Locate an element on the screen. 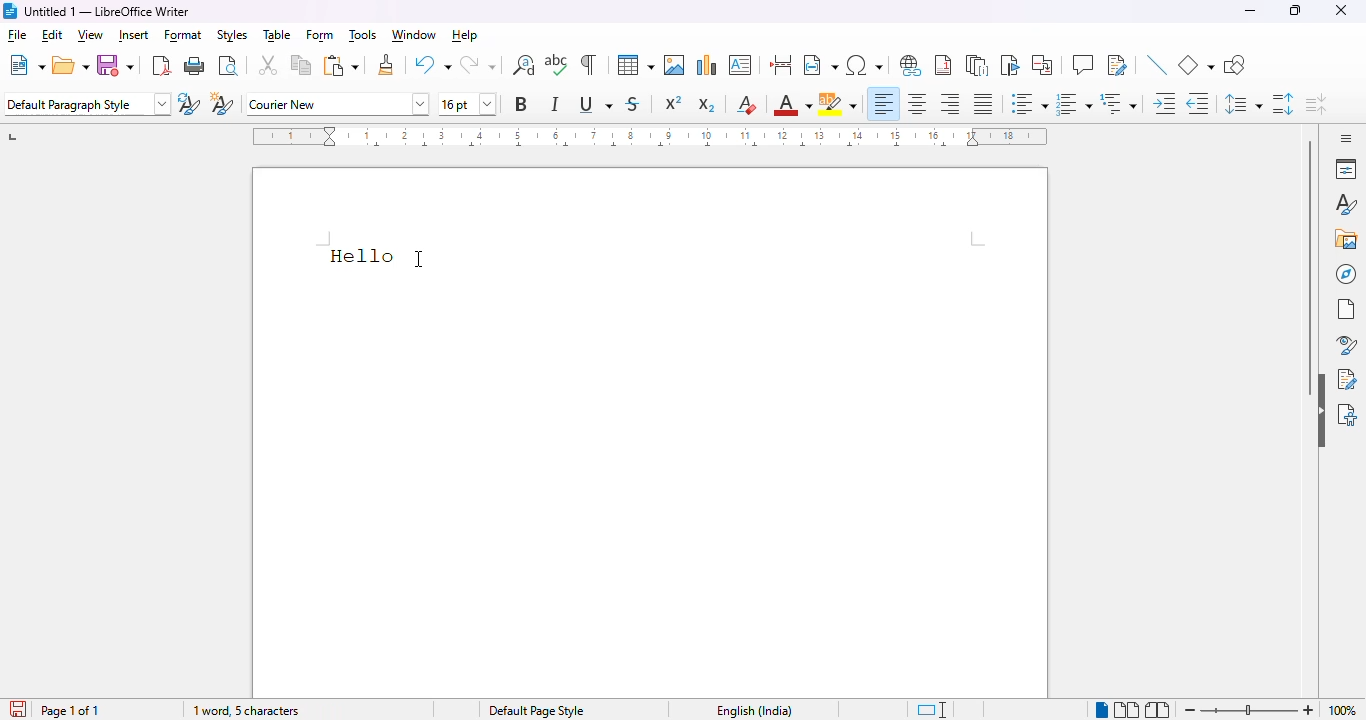 This screenshot has width=1366, height=720. basic shapes is located at coordinates (1196, 64).